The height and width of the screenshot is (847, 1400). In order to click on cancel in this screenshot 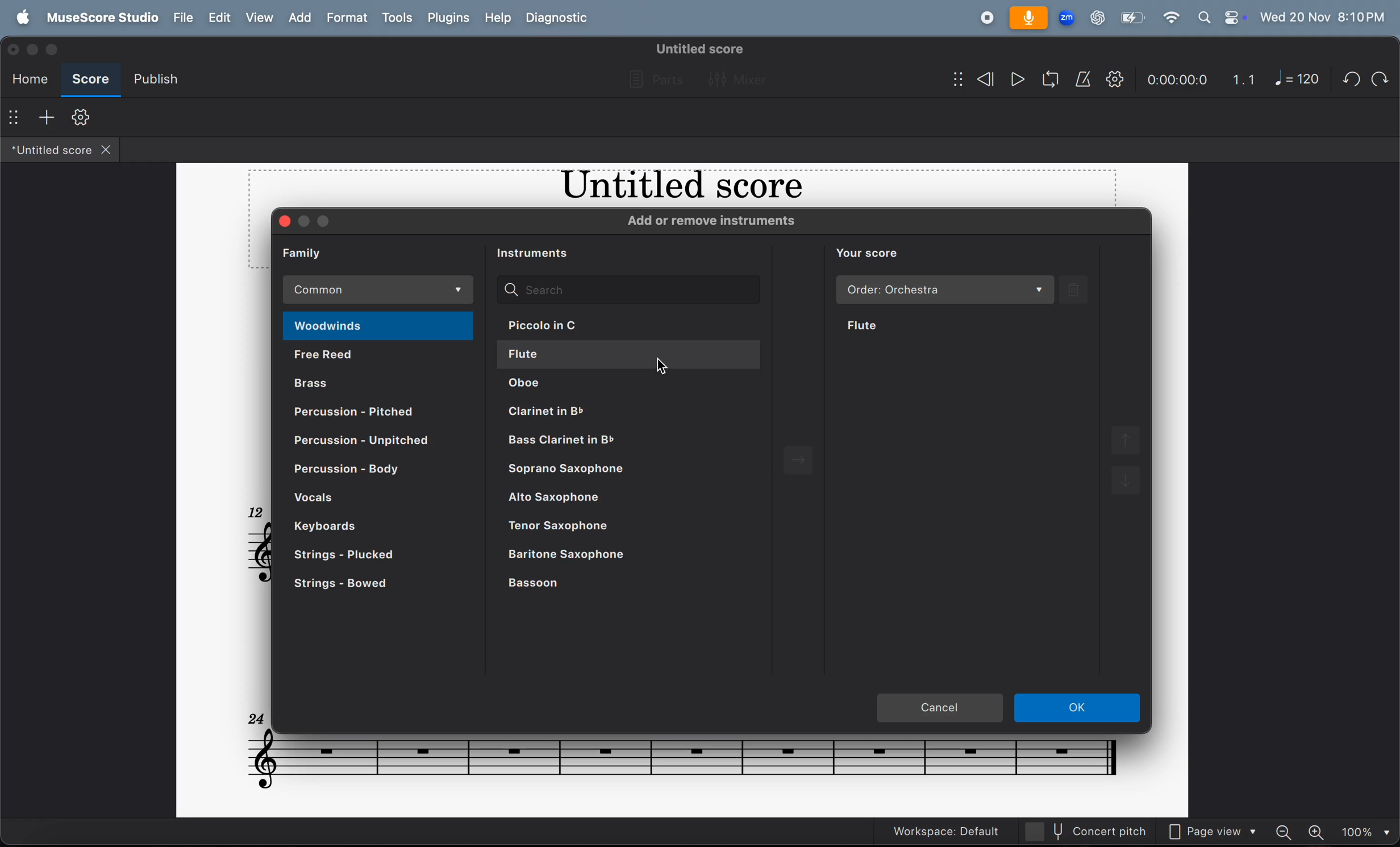, I will do `click(940, 709)`.